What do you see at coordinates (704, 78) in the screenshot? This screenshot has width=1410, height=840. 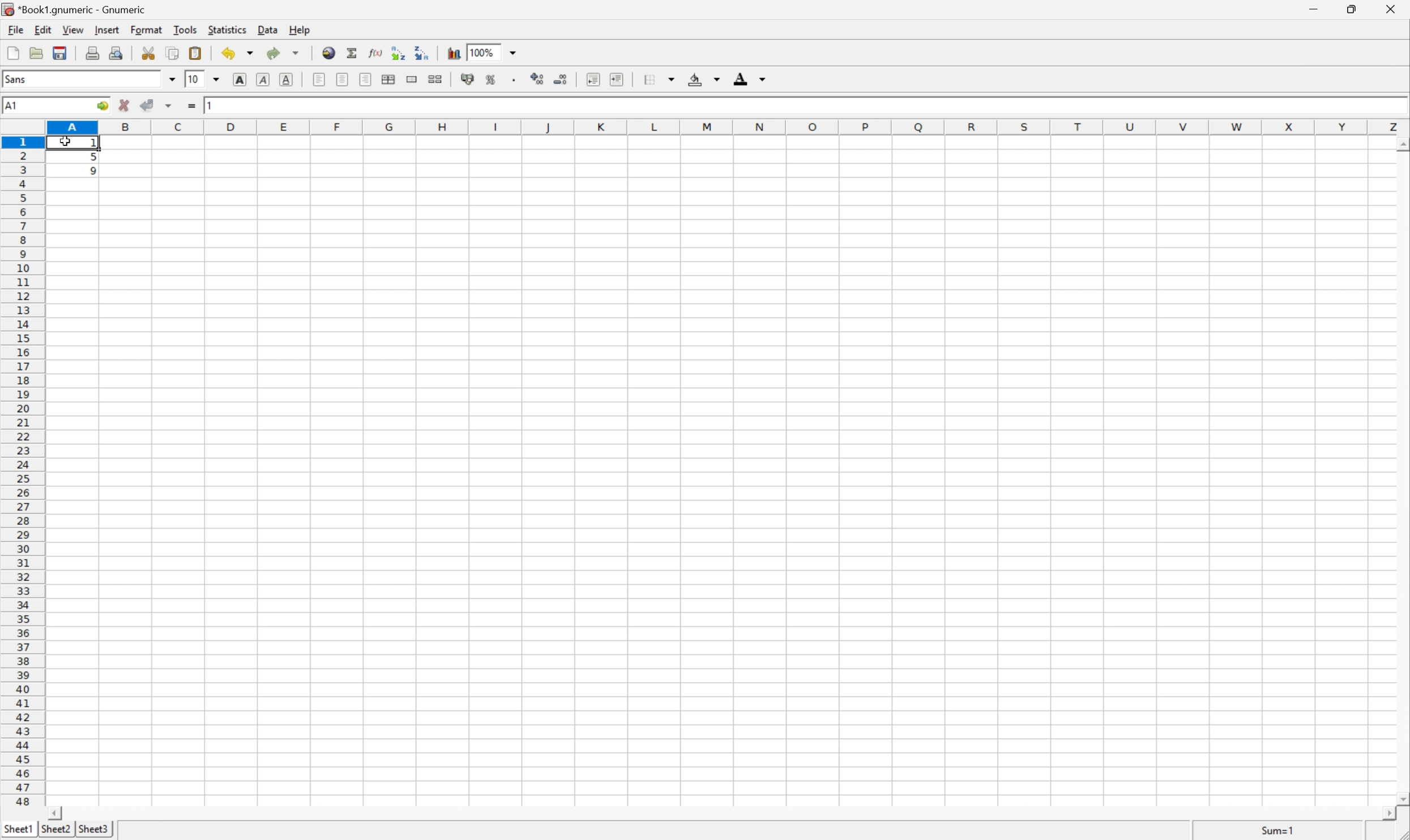 I see `background` at bounding box center [704, 78].